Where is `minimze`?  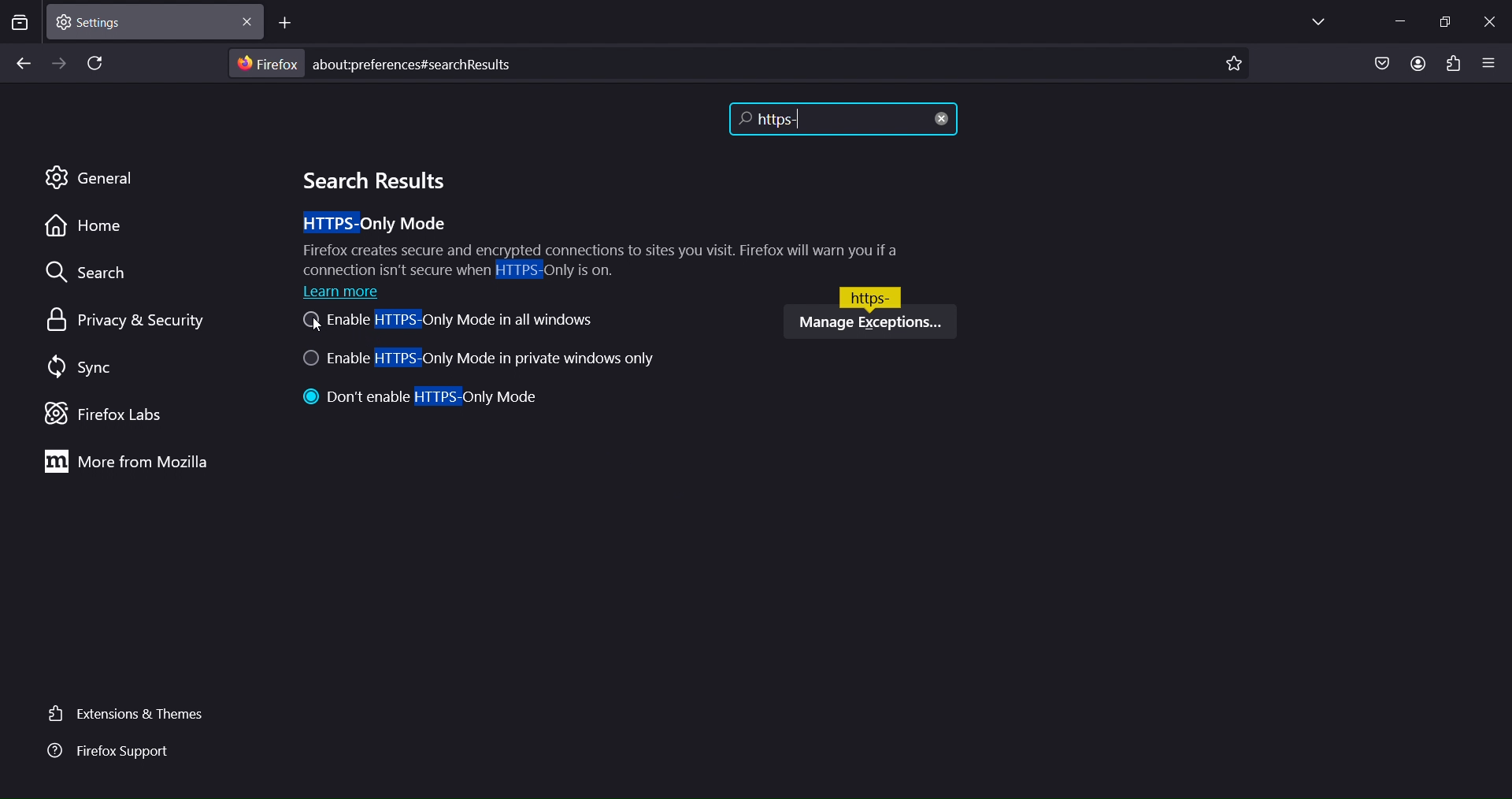
minimze is located at coordinates (1404, 22).